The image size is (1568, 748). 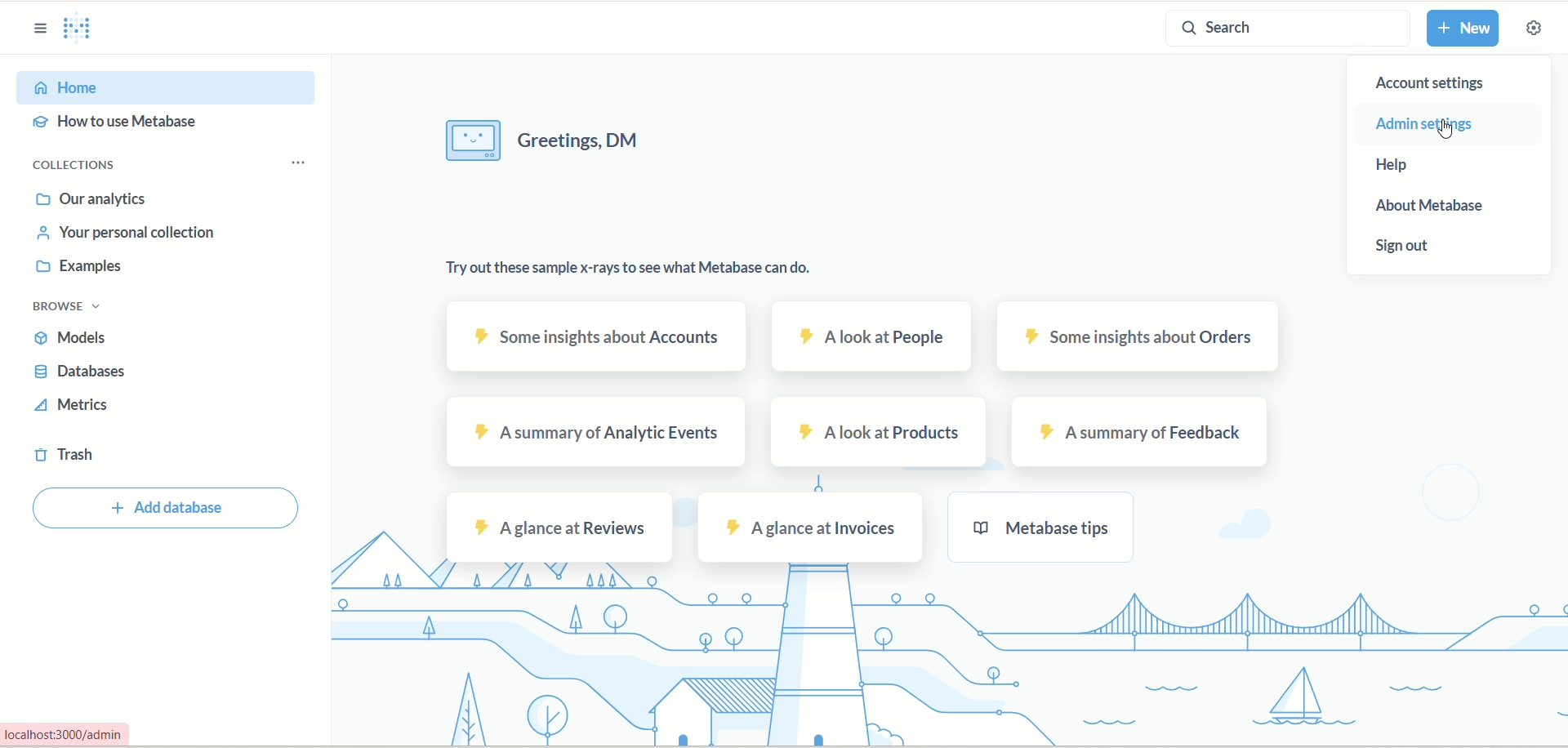 What do you see at coordinates (1438, 208) in the screenshot?
I see `about metabase` at bounding box center [1438, 208].